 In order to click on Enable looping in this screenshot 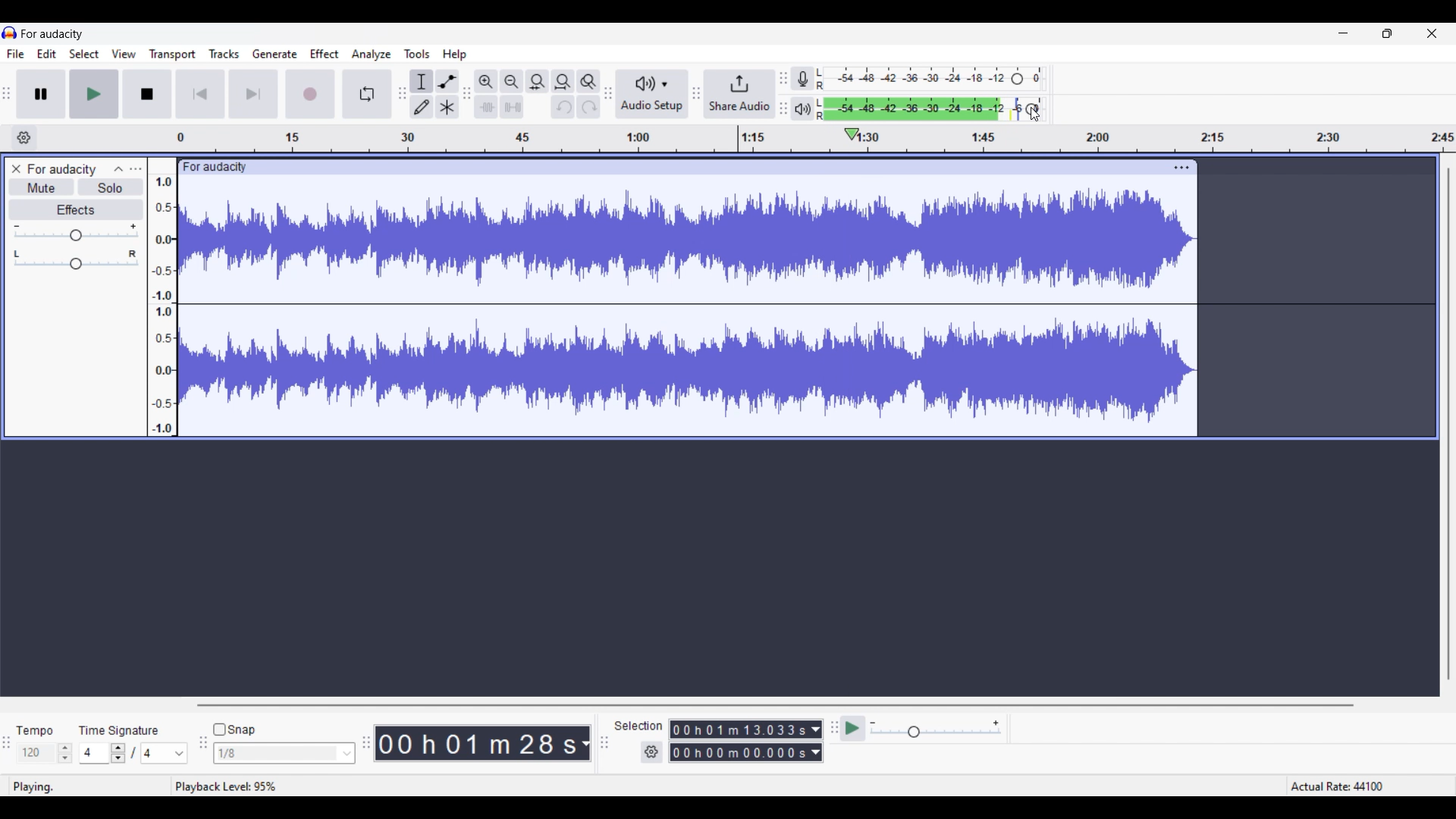, I will do `click(367, 94)`.